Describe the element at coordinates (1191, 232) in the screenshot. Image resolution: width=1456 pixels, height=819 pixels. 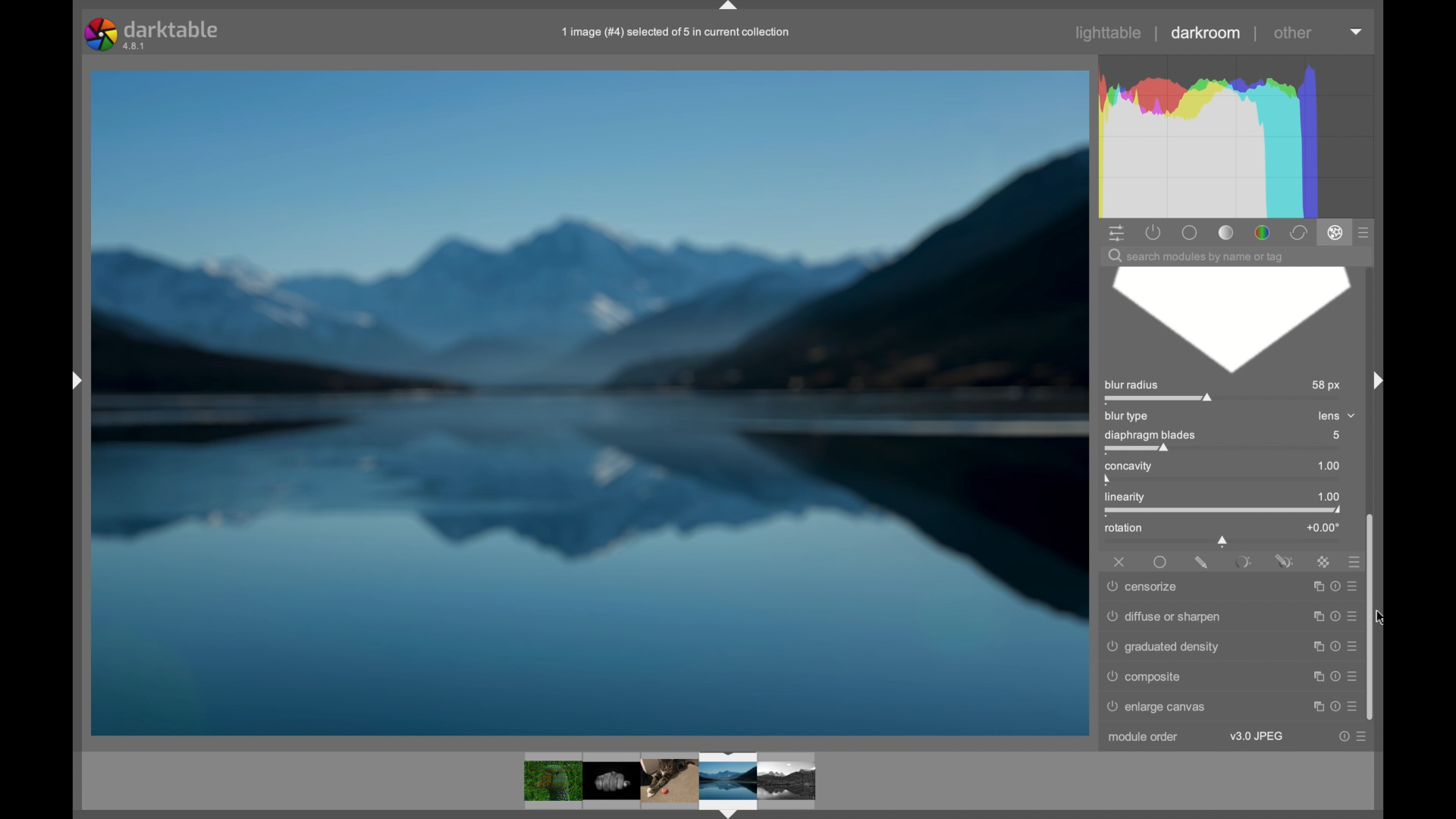
I see `base` at that location.